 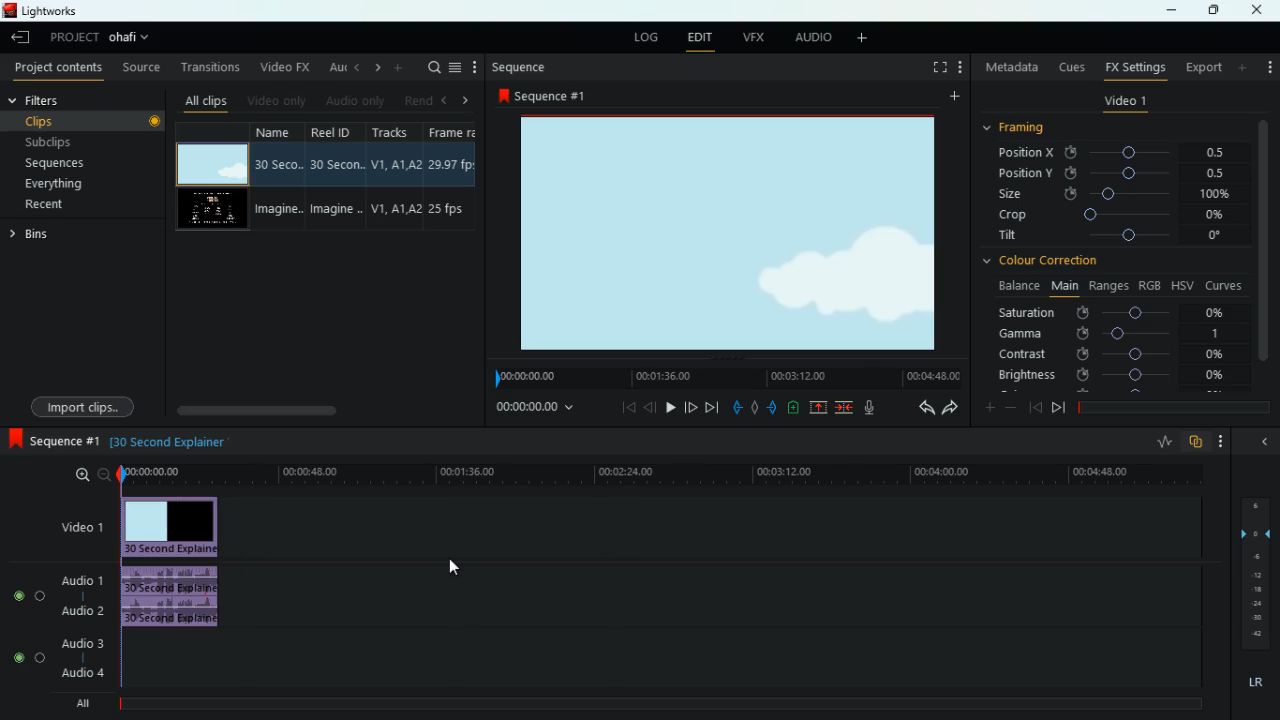 What do you see at coordinates (859, 39) in the screenshot?
I see `add` at bounding box center [859, 39].